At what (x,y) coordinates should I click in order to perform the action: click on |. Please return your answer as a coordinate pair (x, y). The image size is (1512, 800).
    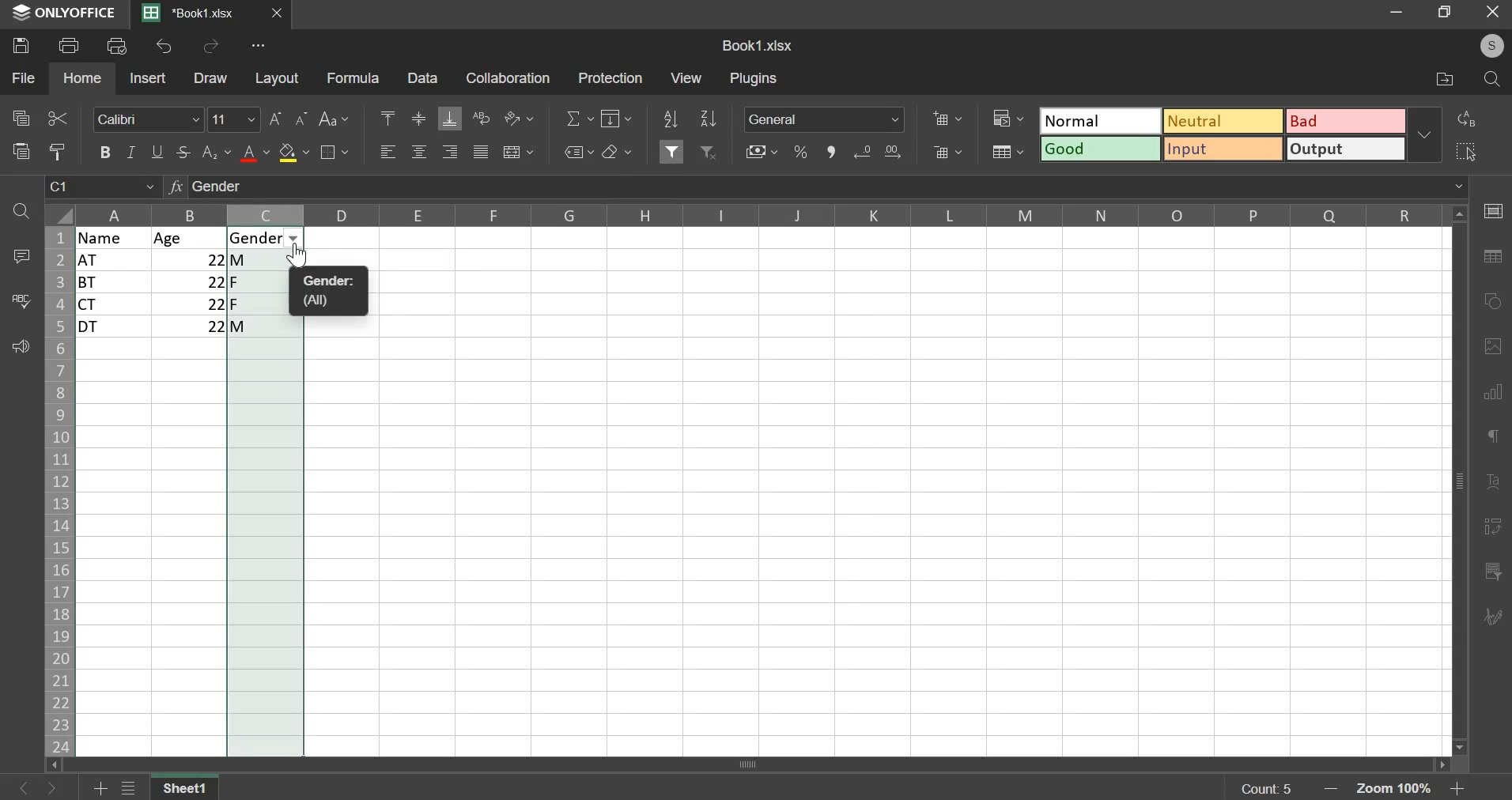
    Looking at the image, I should click on (192, 326).